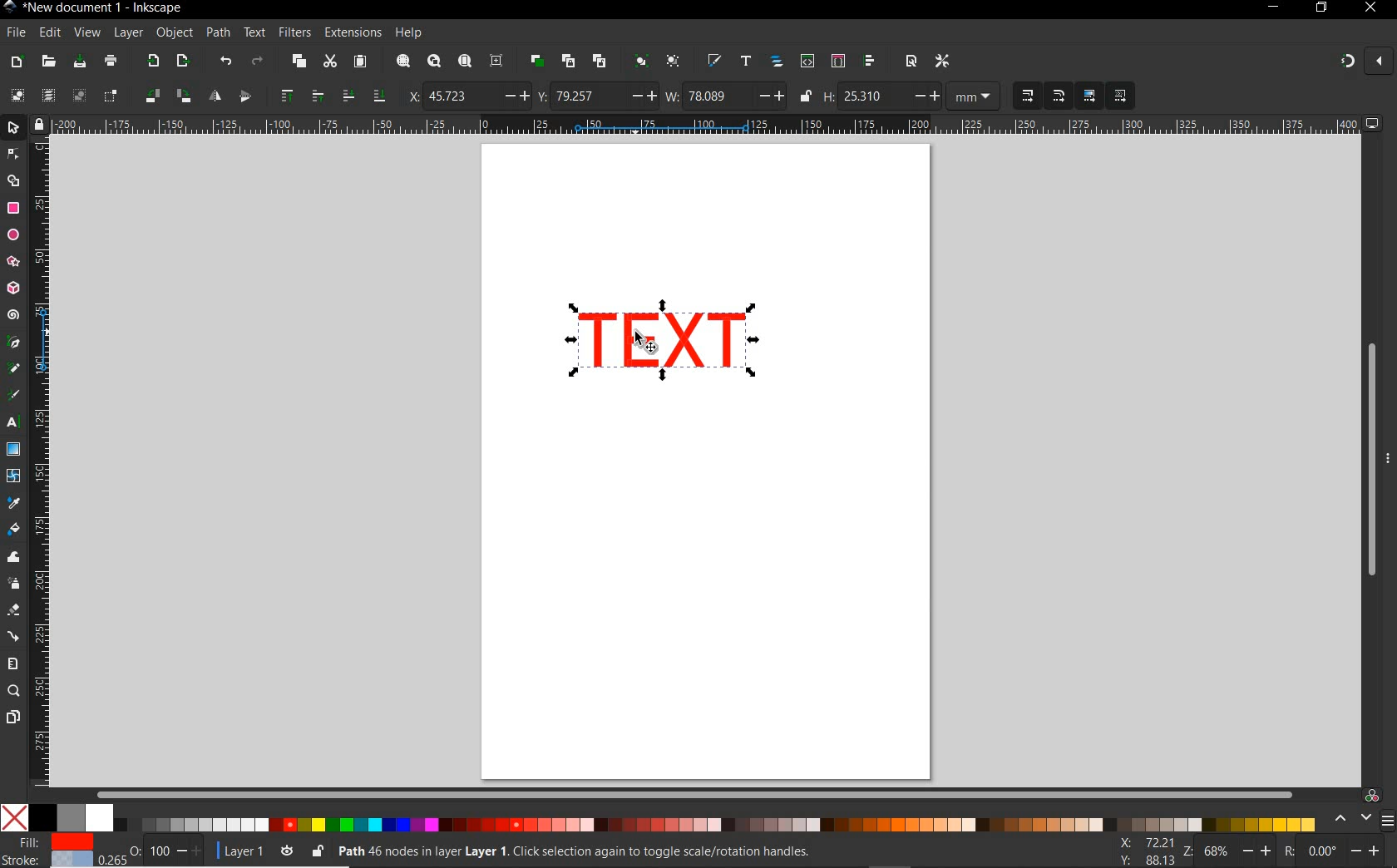  What do you see at coordinates (17, 95) in the screenshot?
I see `SELECT ALL` at bounding box center [17, 95].